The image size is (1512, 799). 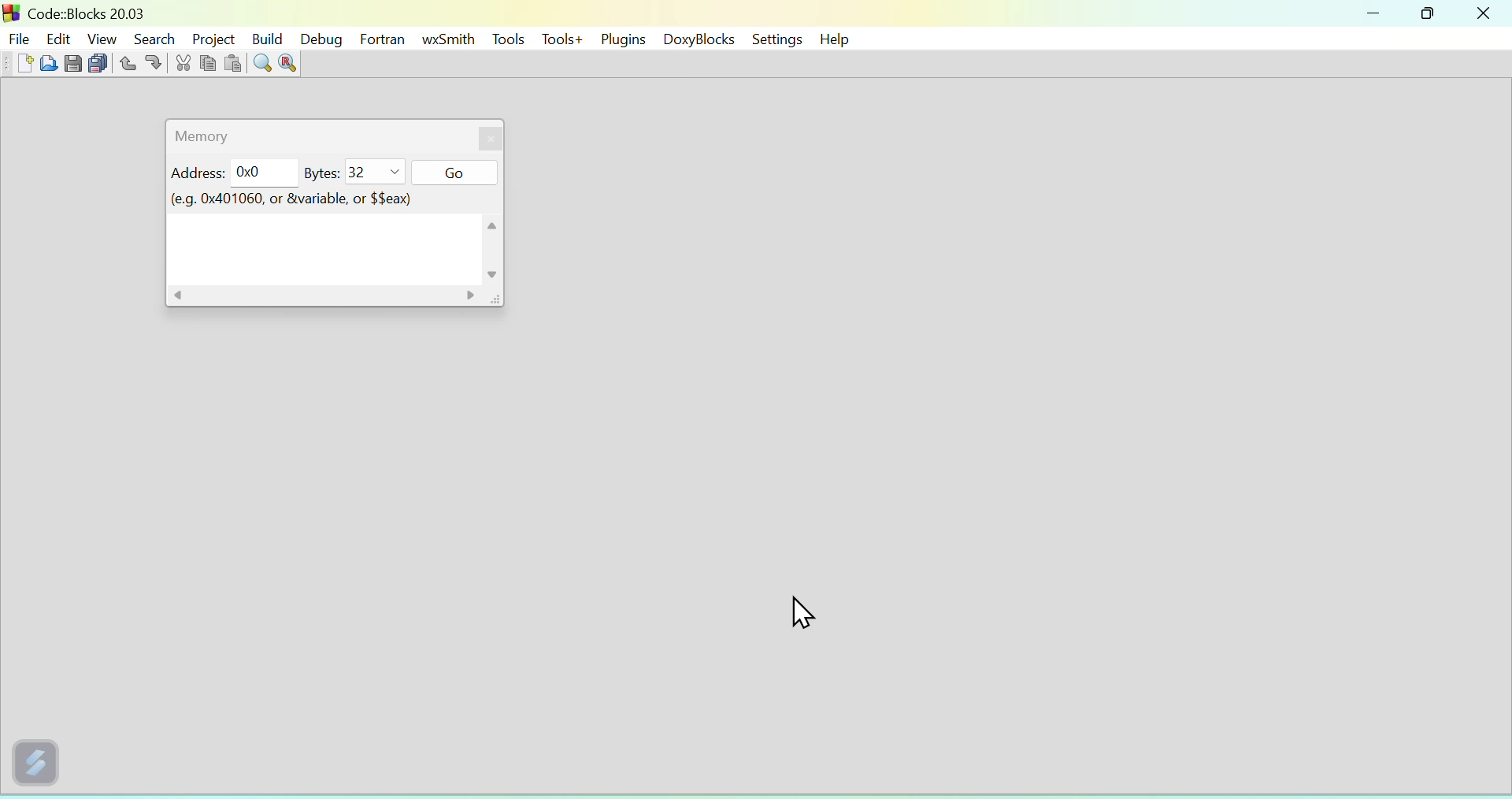 I want to click on Go, so click(x=456, y=172).